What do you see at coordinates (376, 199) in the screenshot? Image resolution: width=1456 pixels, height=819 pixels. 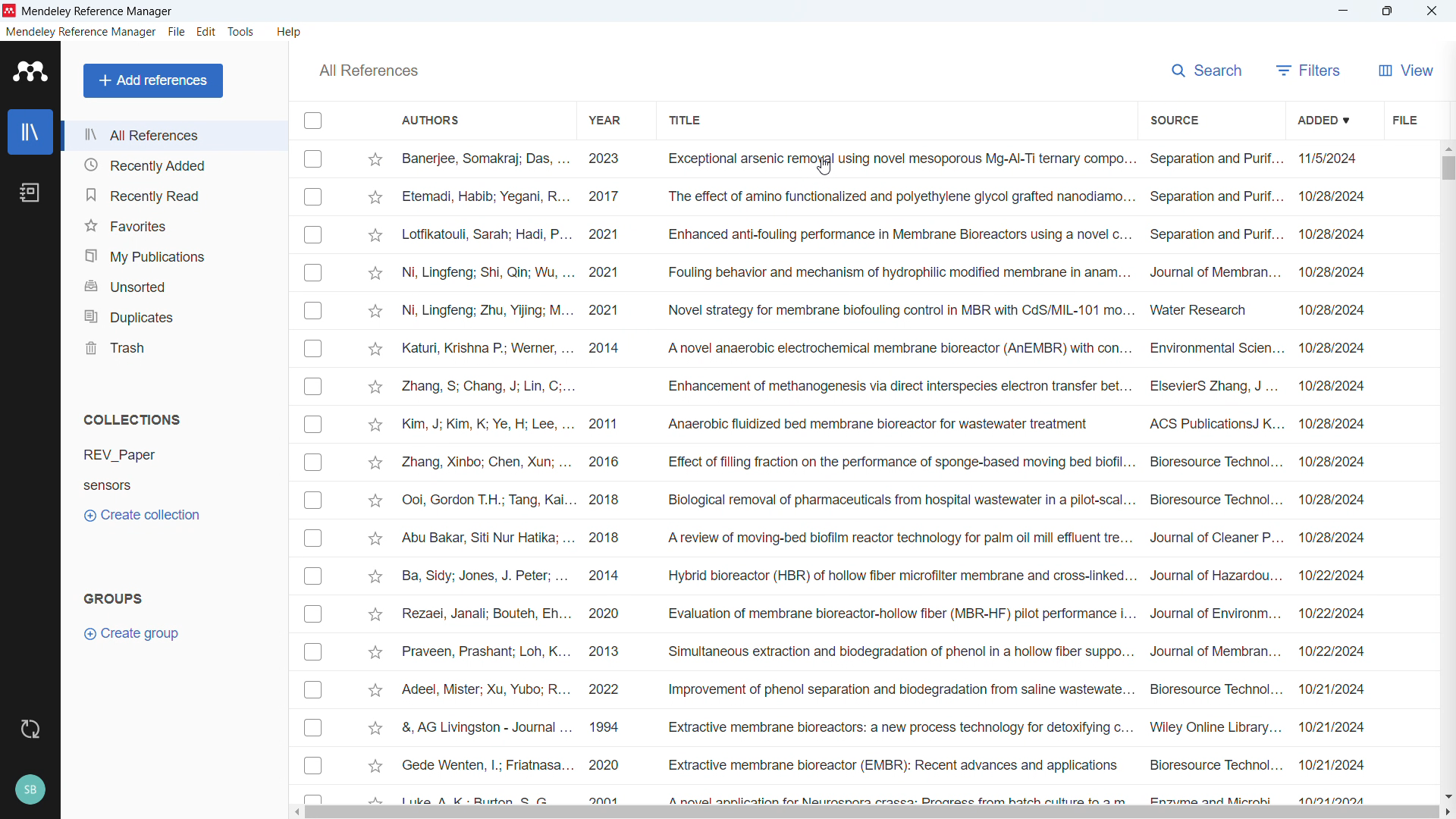 I see `click to starmark individual entries` at bounding box center [376, 199].